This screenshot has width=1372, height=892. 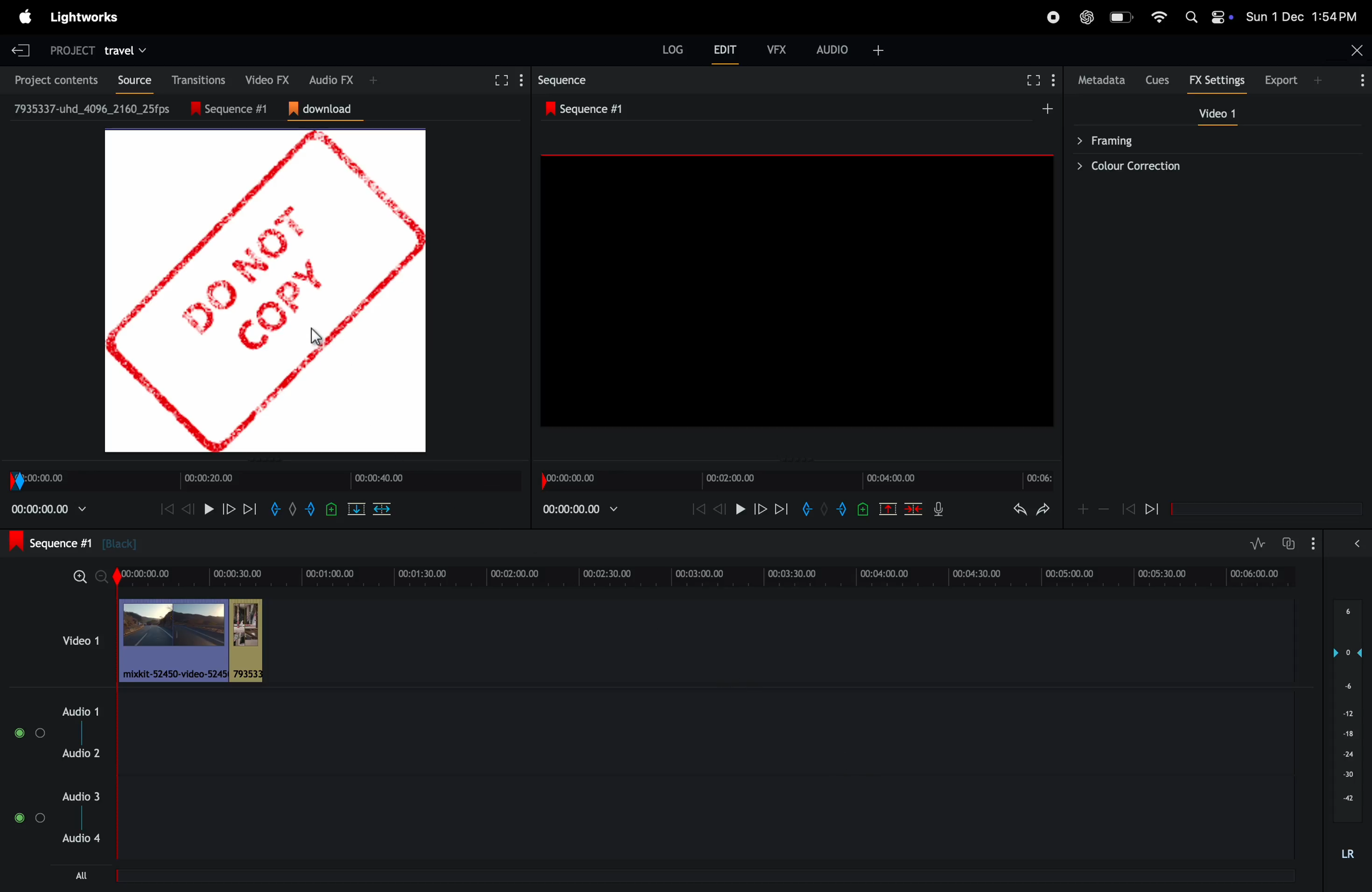 What do you see at coordinates (710, 577) in the screenshot?
I see `timef frame` at bounding box center [710, 577].